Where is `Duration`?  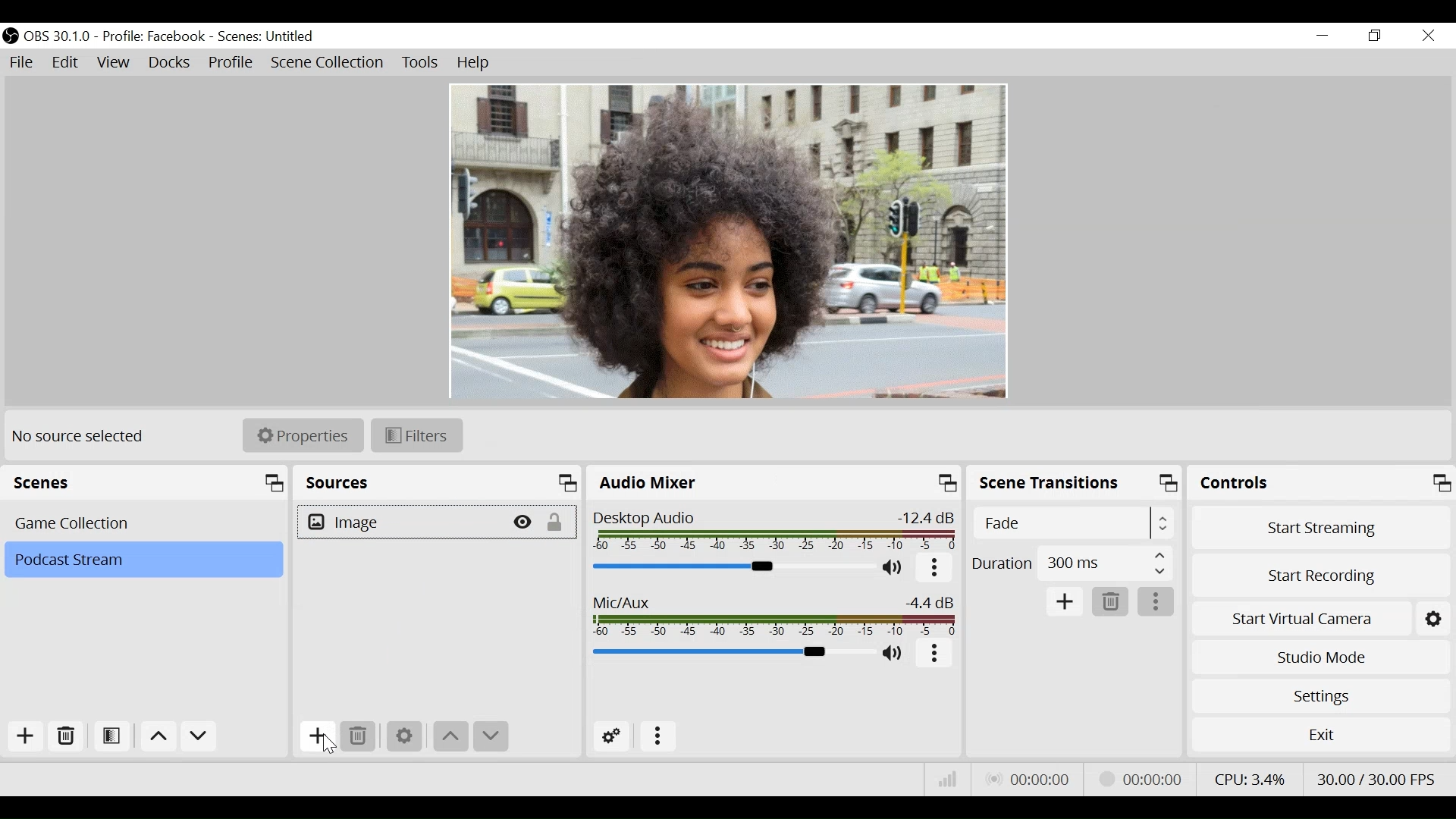 Duration is located at coordinates (1072, 566).